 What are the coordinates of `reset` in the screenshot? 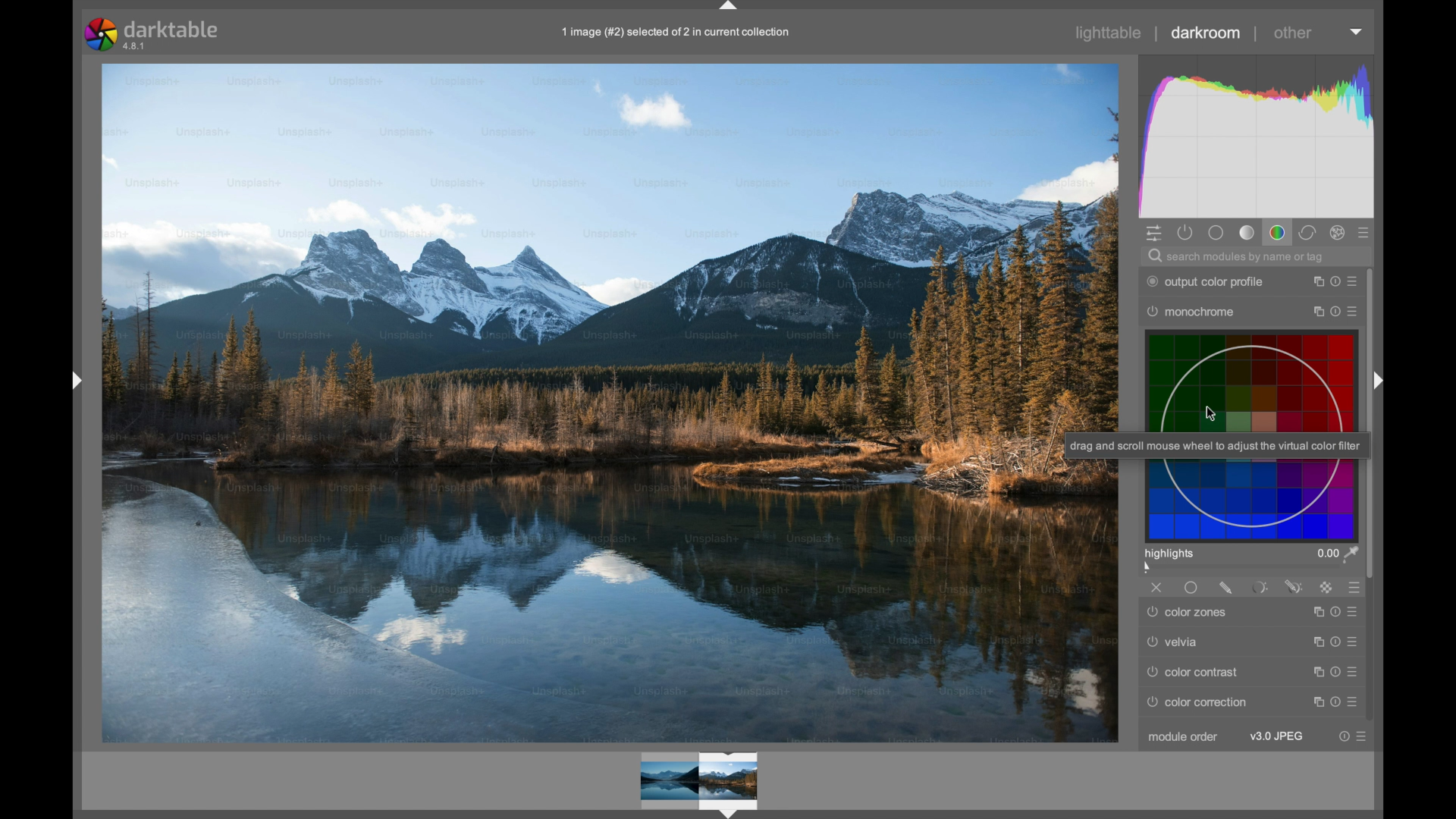 It's located at (1336, 312).